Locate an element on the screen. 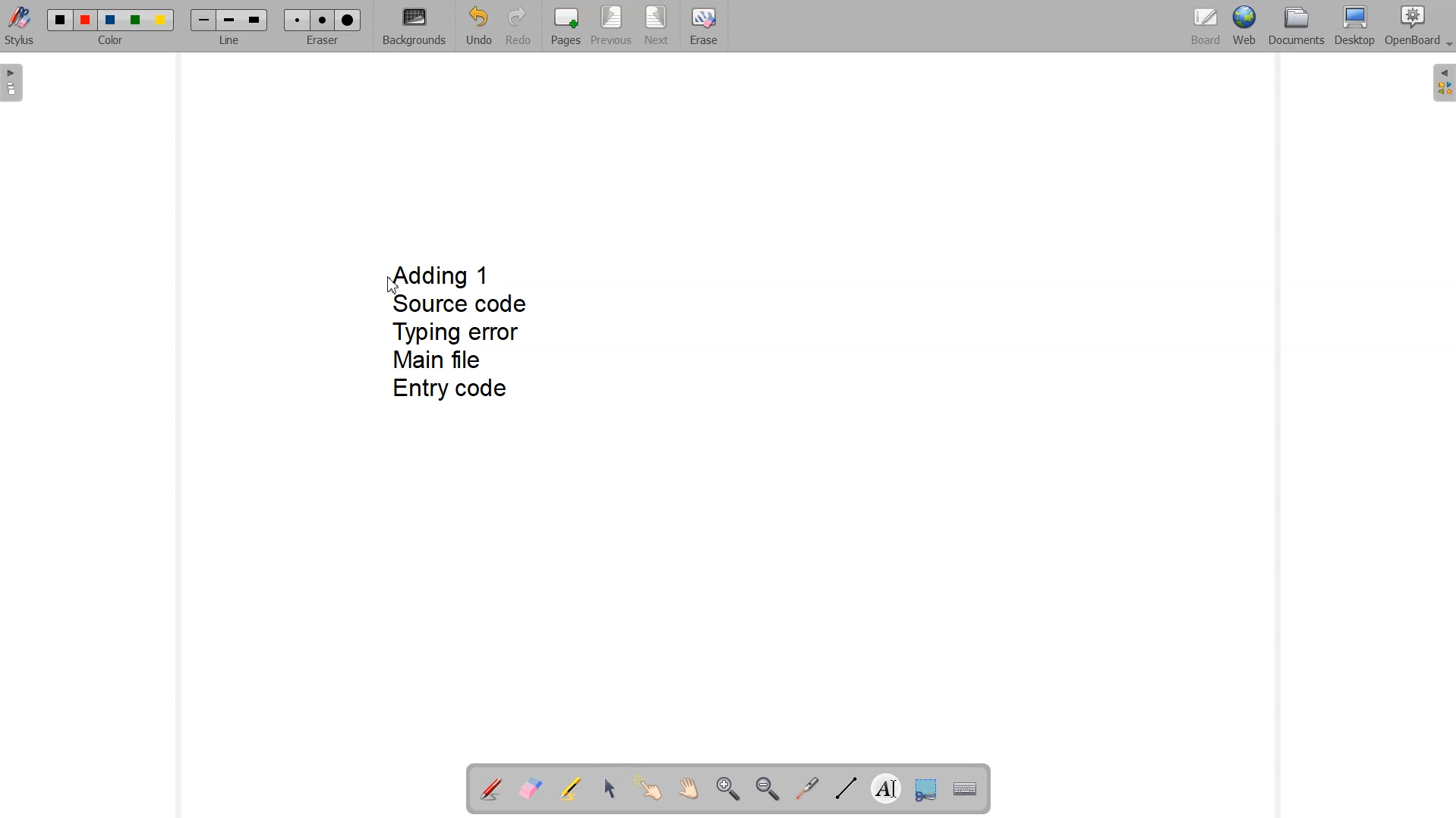 This screenshot has height=818, width=1456. Eraser is located at coordinates (321, 41).